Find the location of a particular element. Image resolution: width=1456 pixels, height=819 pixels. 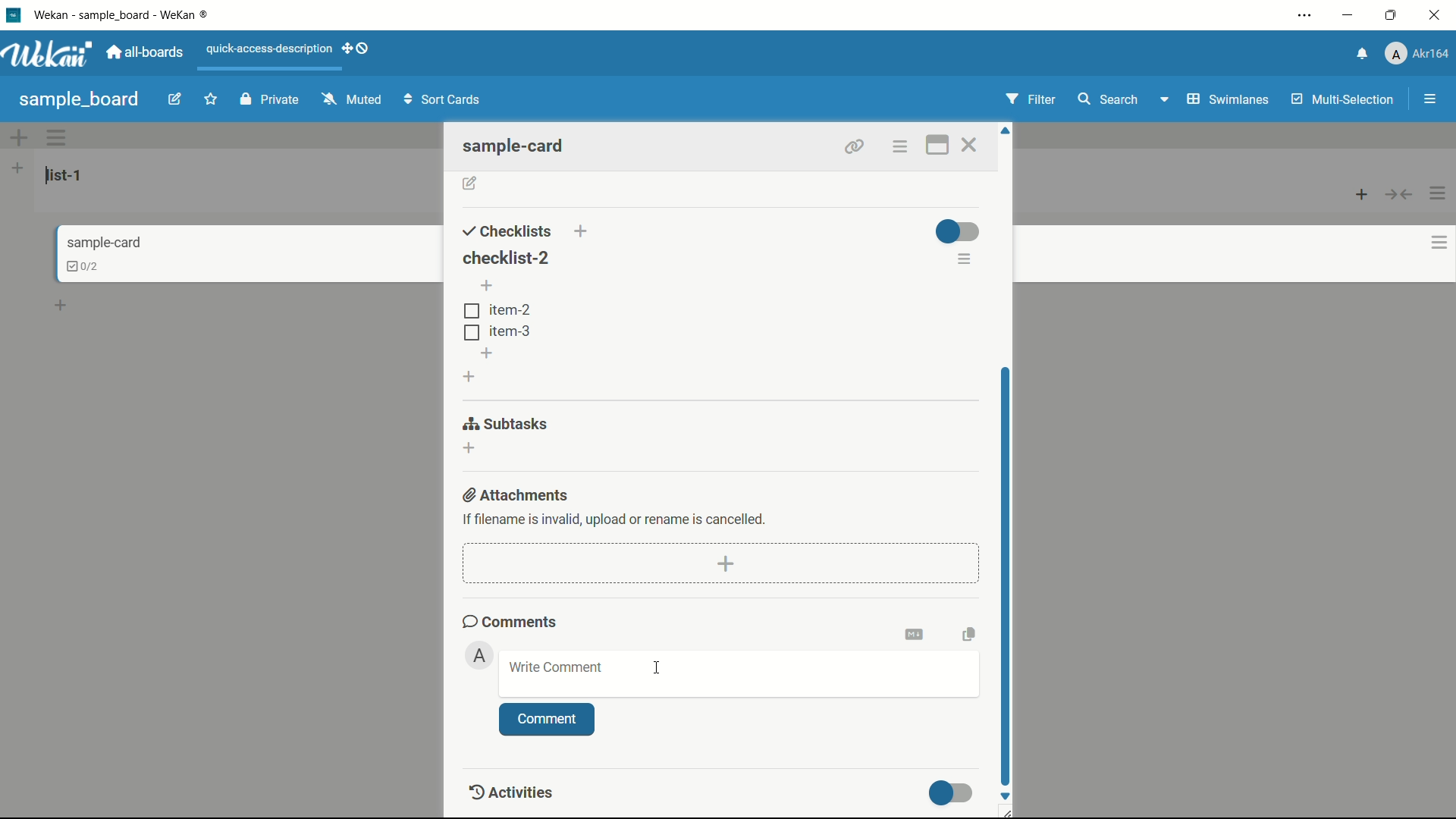

notifications is located at coordinates (1363, 52).